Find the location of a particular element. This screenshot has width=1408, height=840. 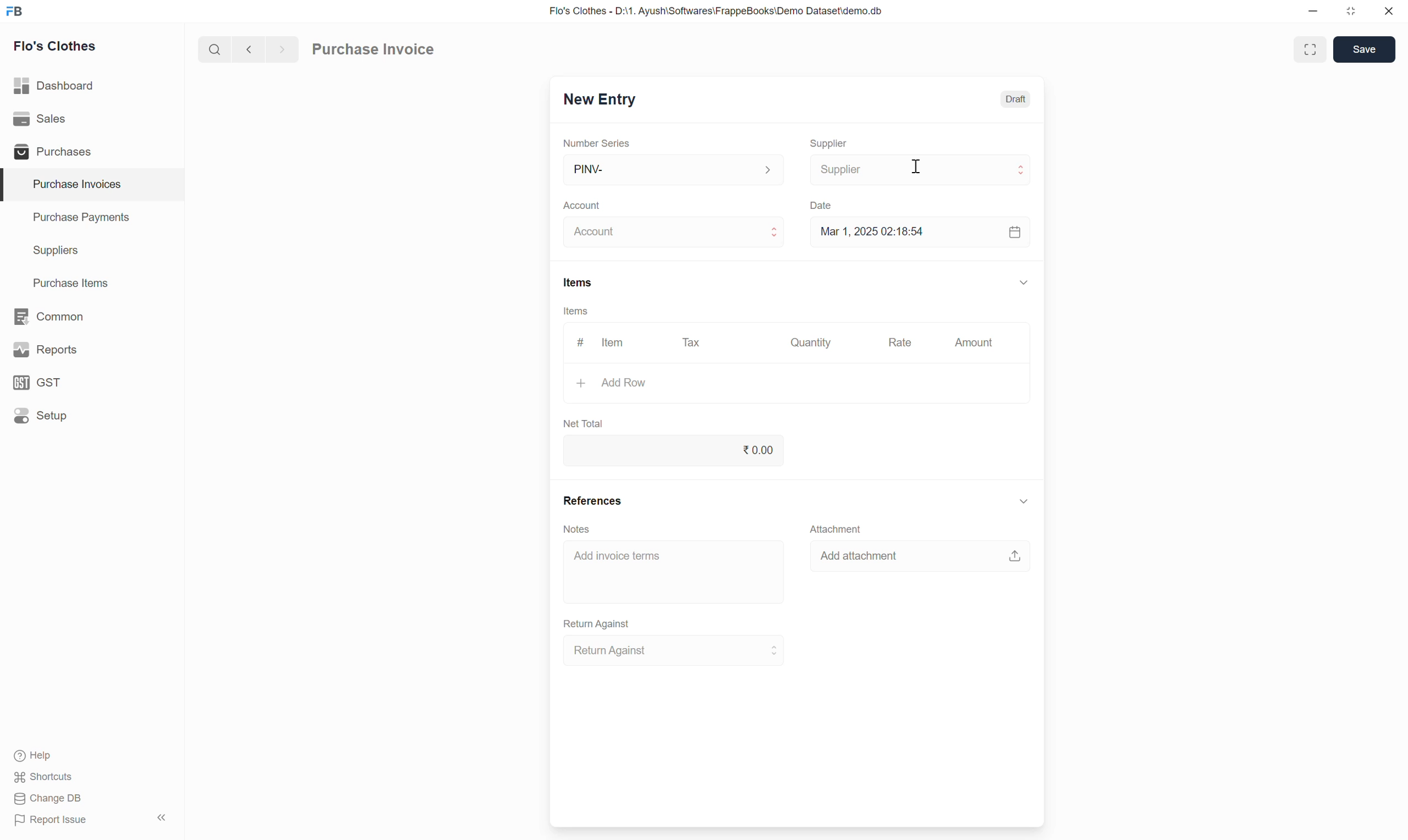

Rate is located at coordinates (900, 342).